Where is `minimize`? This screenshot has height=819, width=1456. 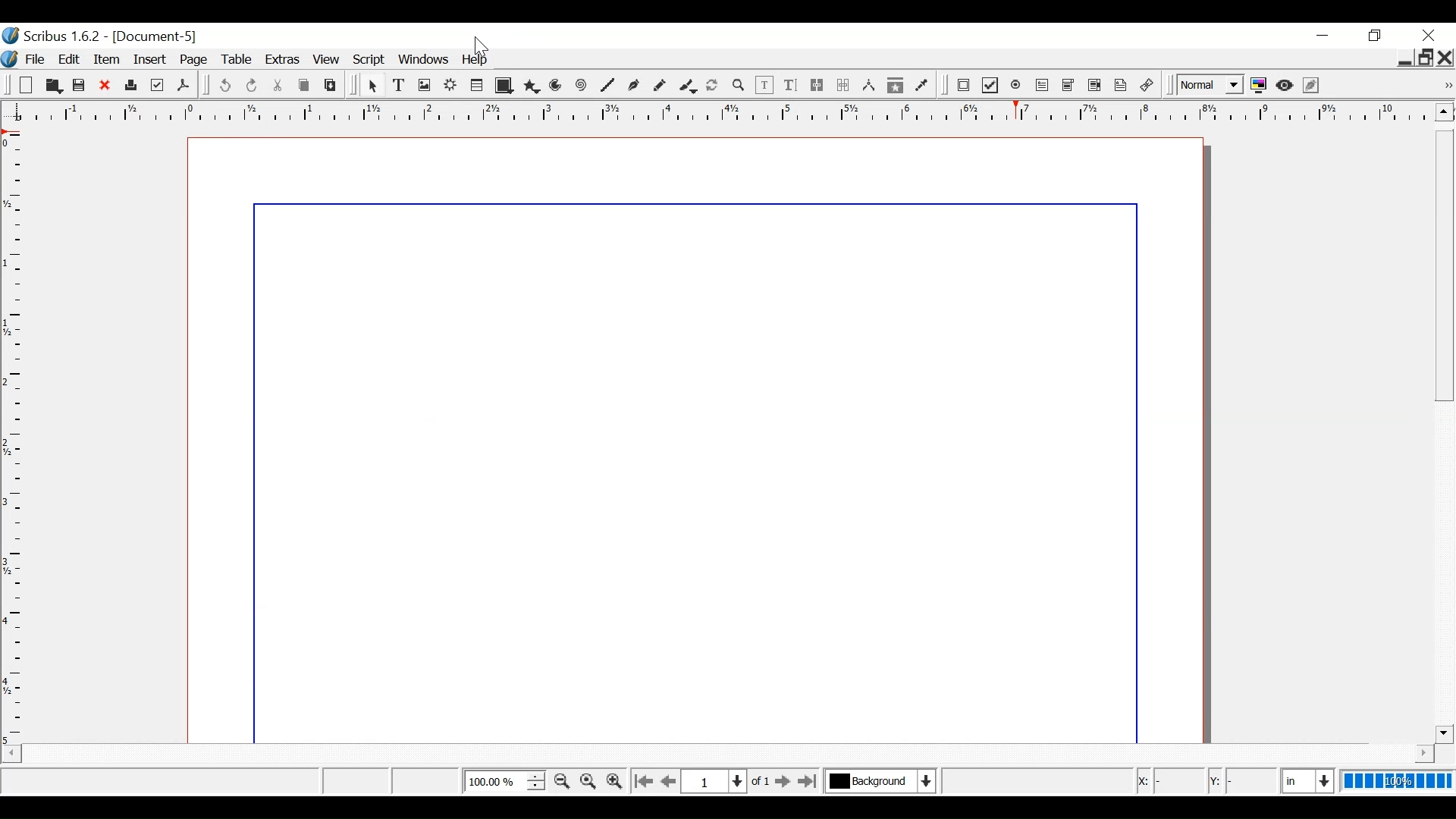
minimize is located at coordinates (1377, 36).